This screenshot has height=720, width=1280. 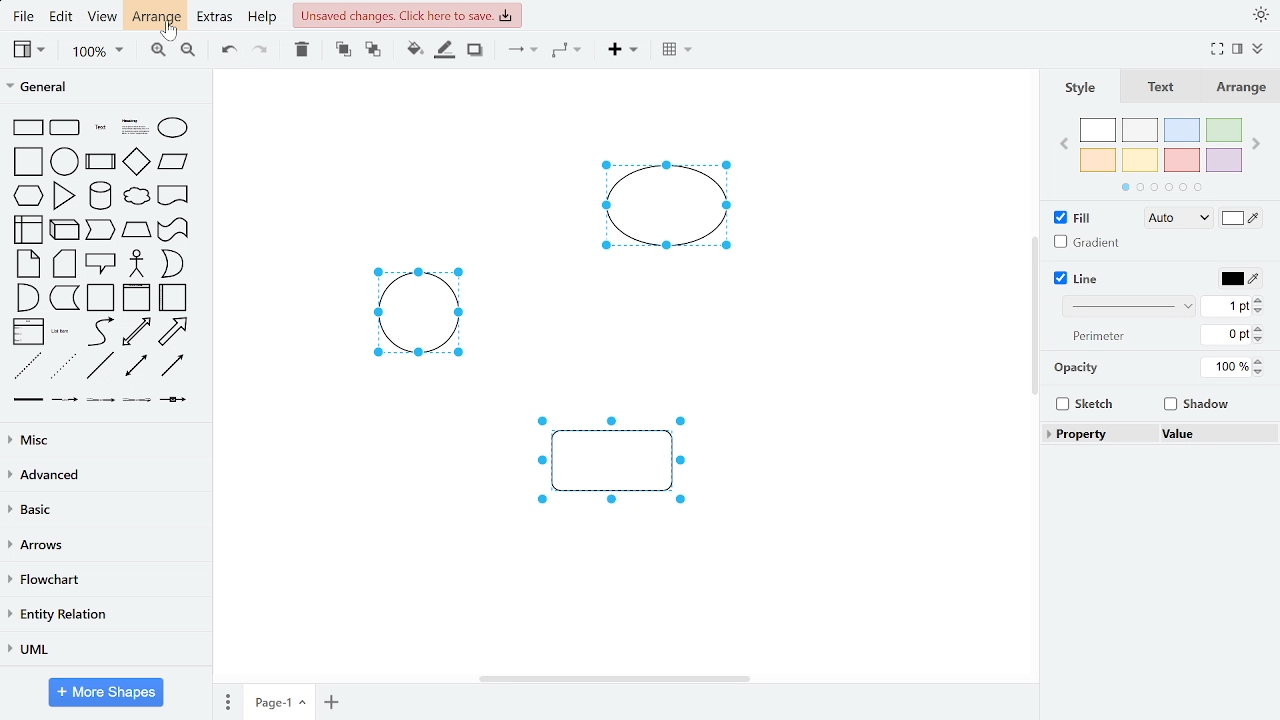 I want to click on actor, so click(x=137, y=264).